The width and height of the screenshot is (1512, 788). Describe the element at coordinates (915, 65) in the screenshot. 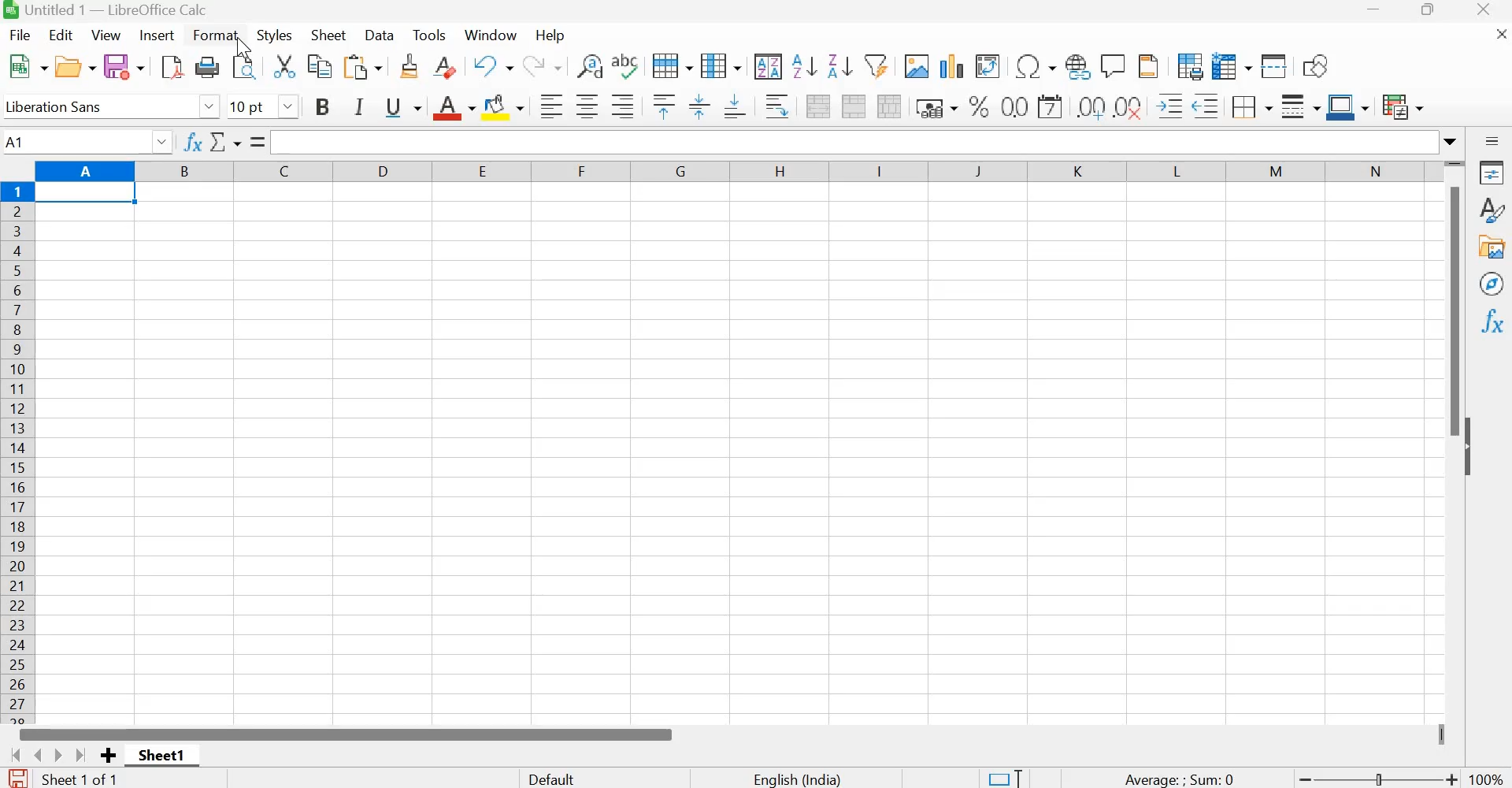

I see `Insert image` at that location.